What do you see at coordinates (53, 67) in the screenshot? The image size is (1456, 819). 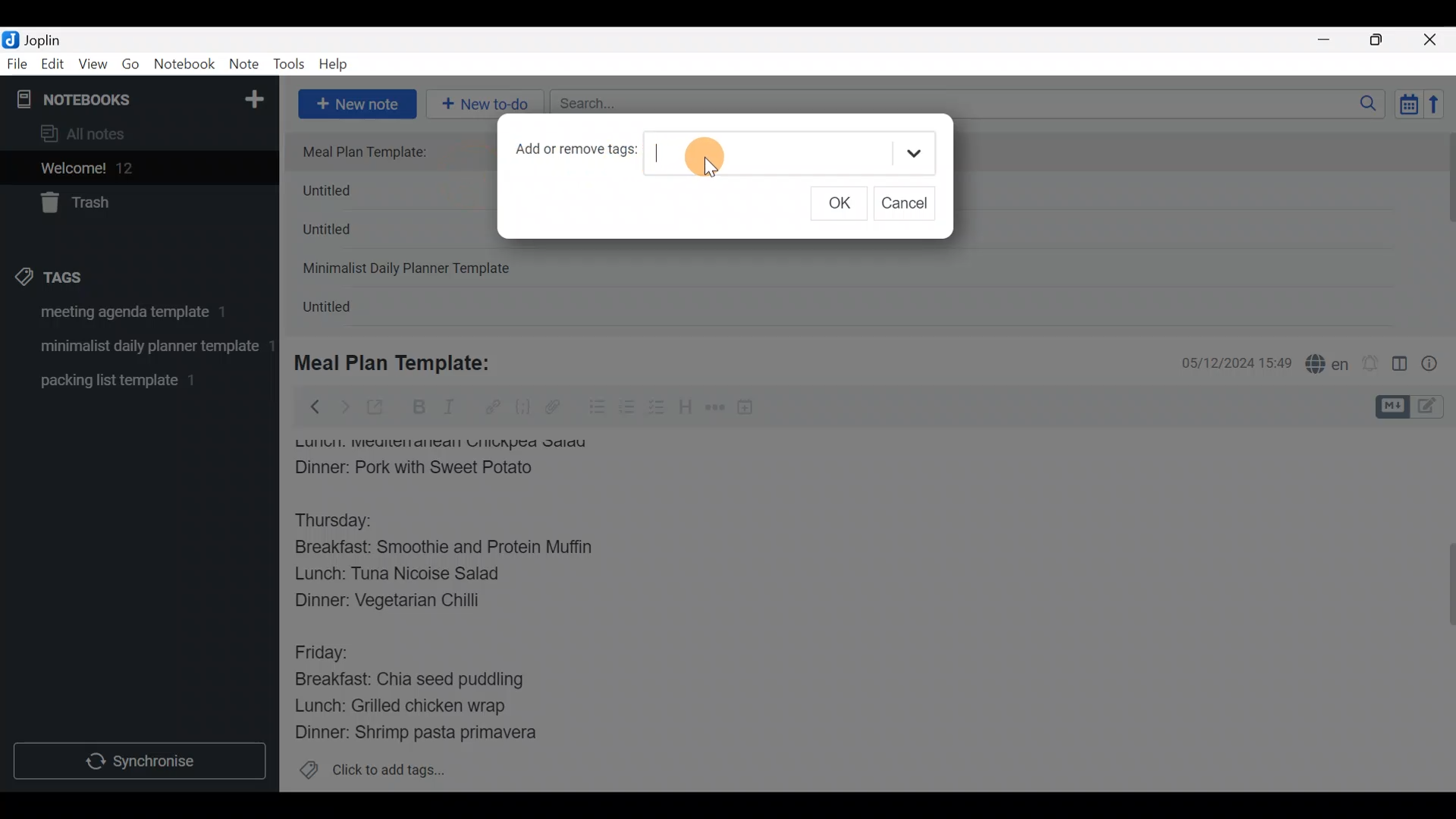 I see `Edit` at bounding box center [53, 67].